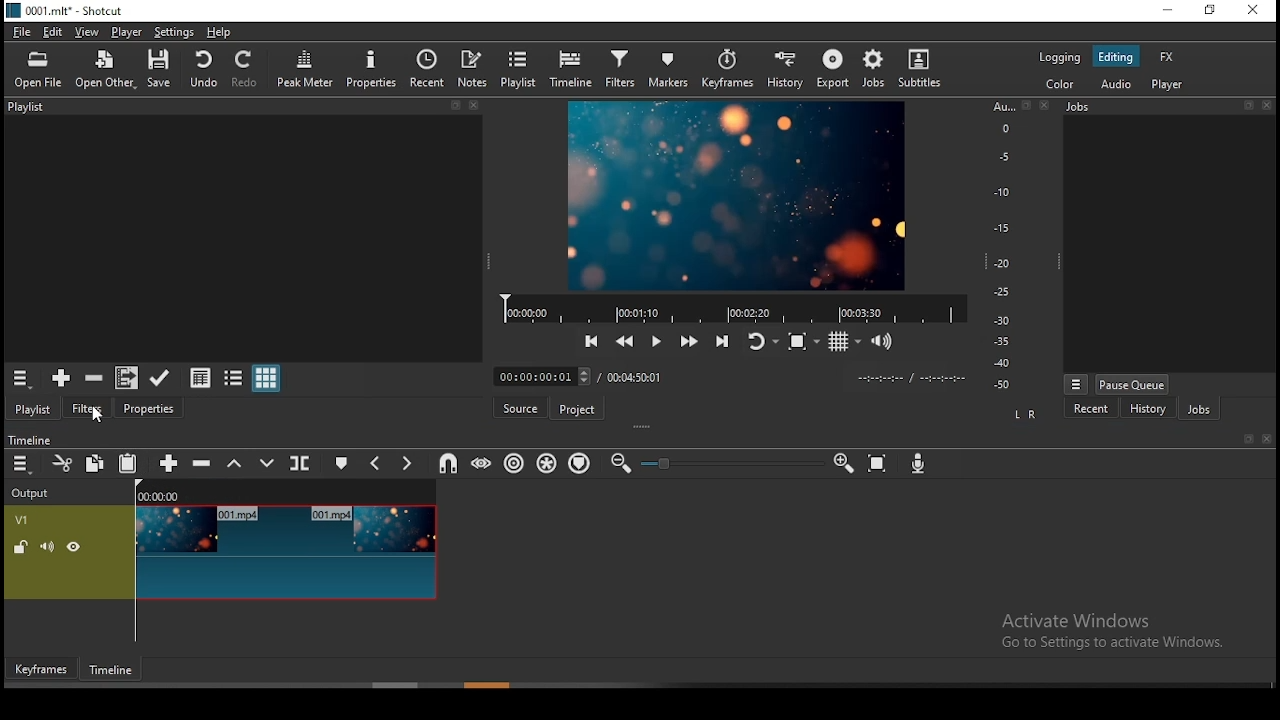  I want to click on history, so click(780, 68).